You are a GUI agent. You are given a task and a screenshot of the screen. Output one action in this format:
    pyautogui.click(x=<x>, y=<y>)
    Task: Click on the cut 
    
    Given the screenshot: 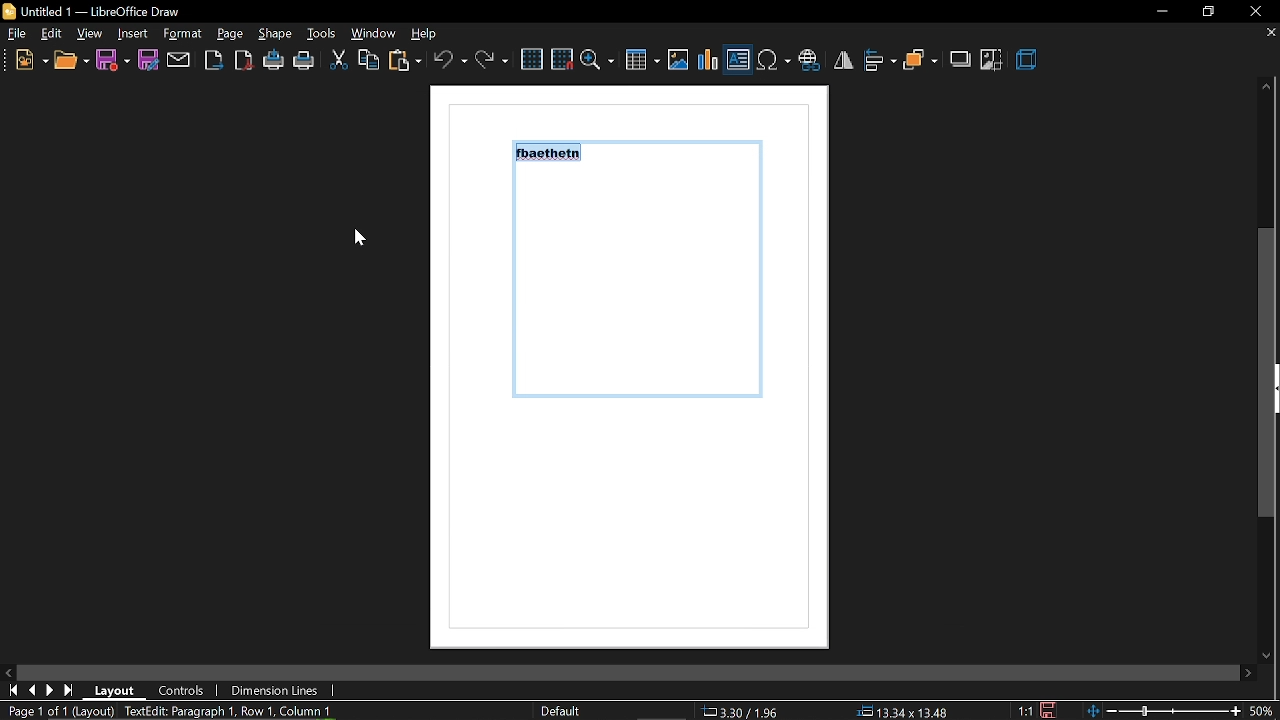 What is the action you would take?
    pyautogui.click(x=338, y=62)
    